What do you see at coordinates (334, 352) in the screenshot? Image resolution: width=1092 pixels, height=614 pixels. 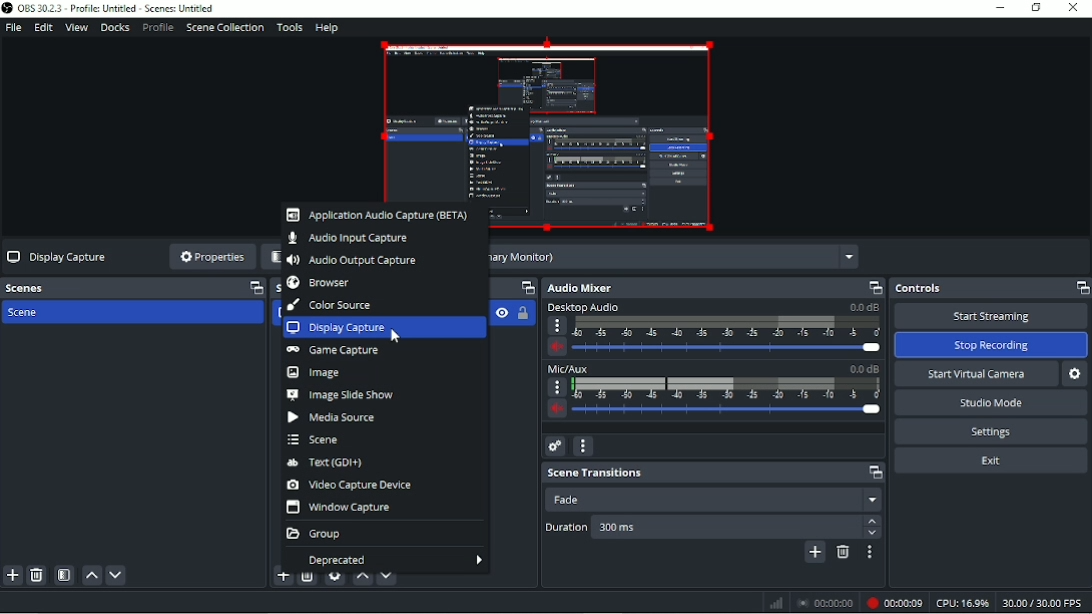 I see `Game capture` at bounding box center [334, 352].